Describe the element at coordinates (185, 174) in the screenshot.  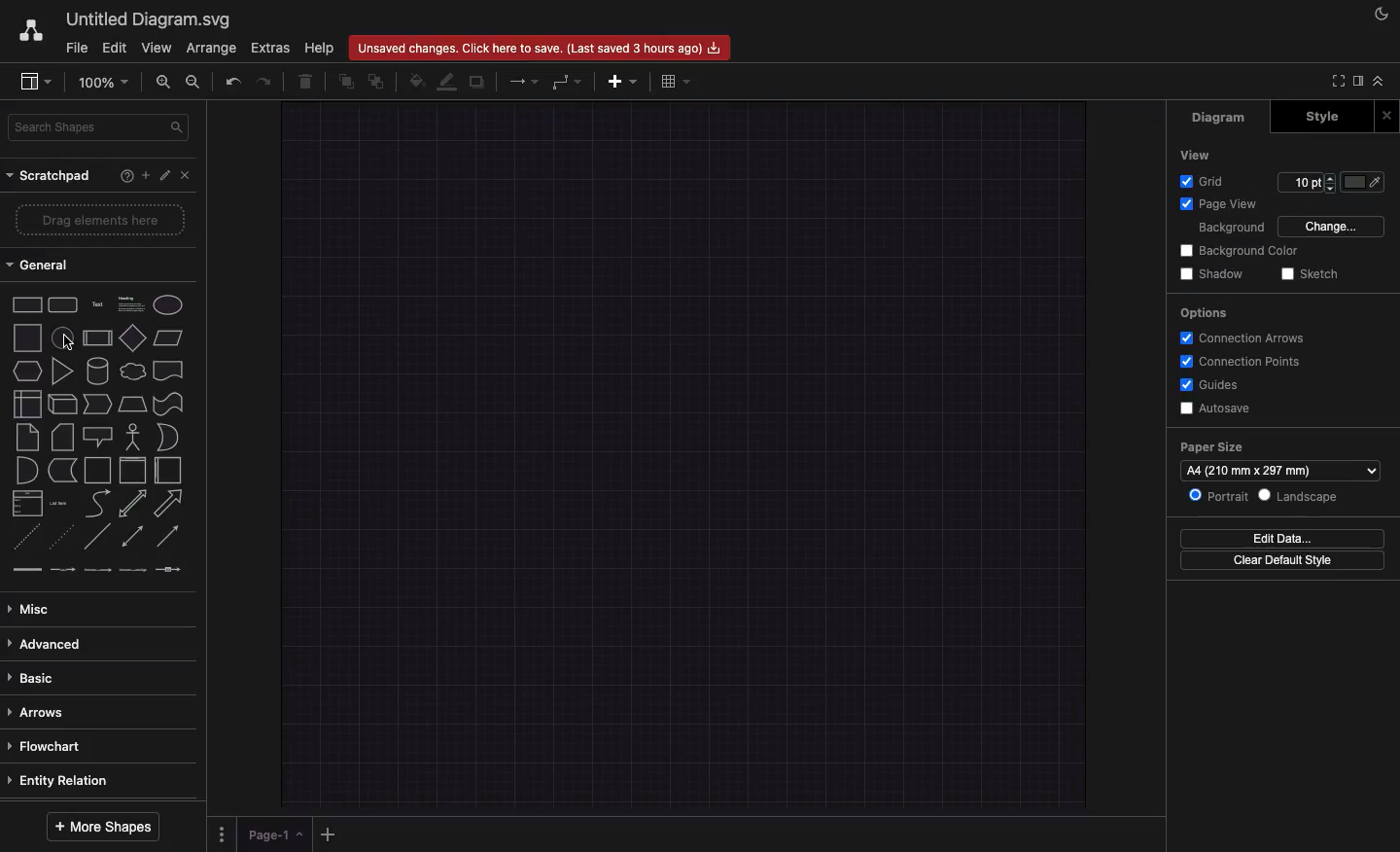
I see `Close` at that location.